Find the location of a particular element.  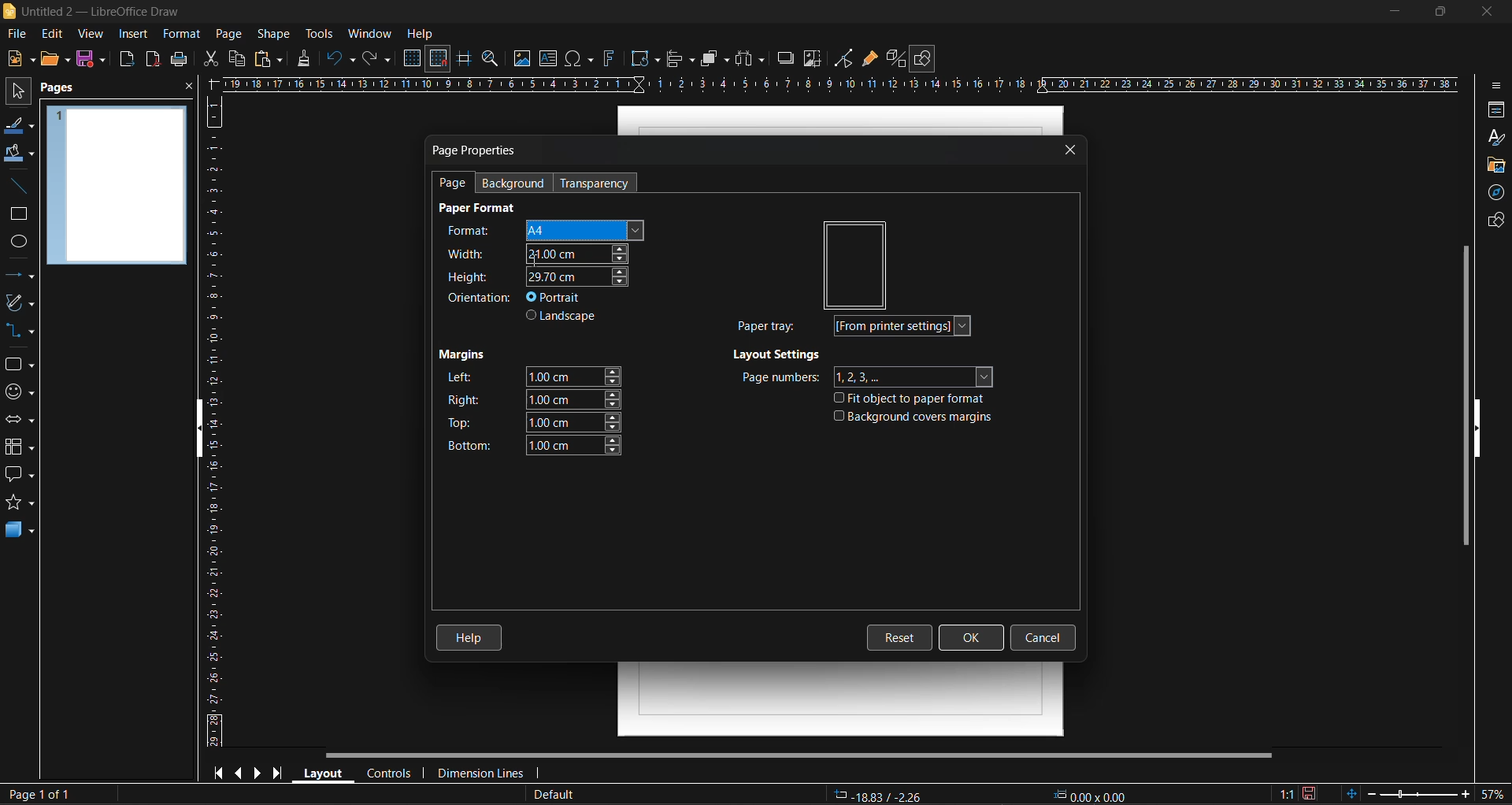

clone formatting is located at coordinates (308, 60).